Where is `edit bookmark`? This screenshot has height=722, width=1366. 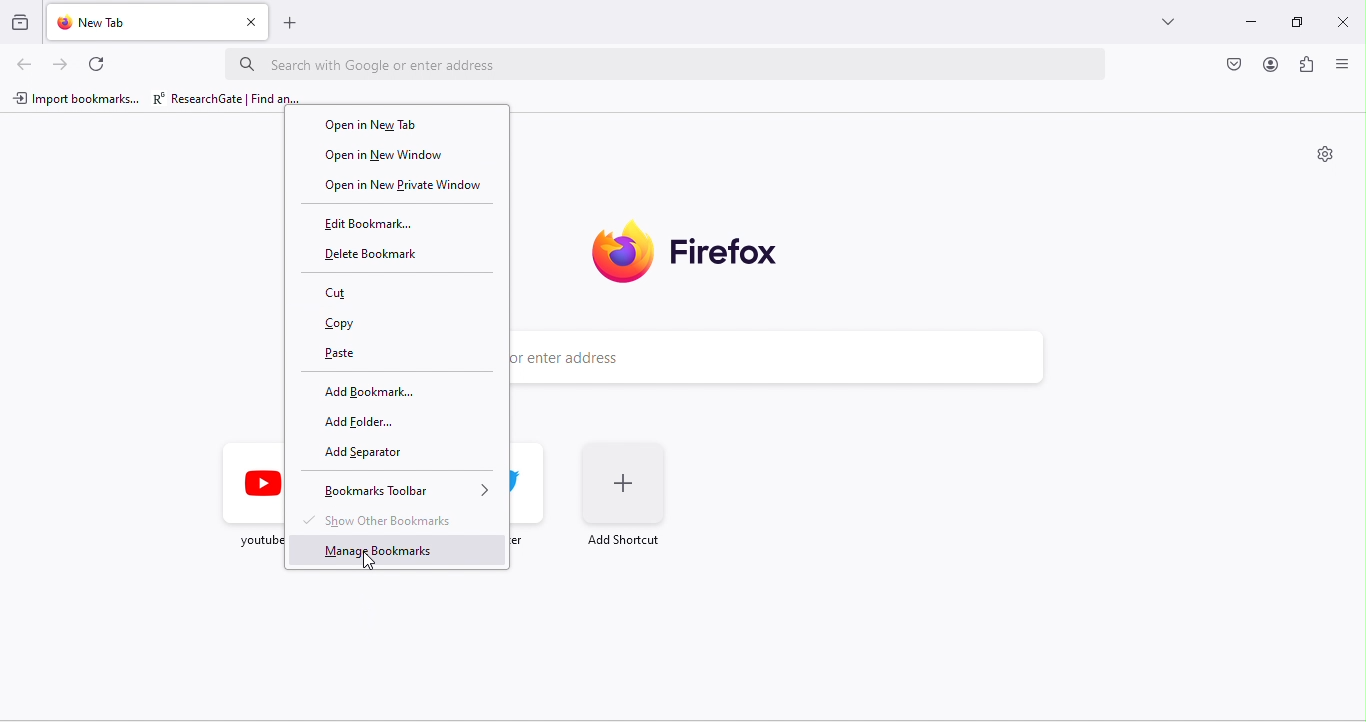 edit bookmark is located at coordinates (380, 221).